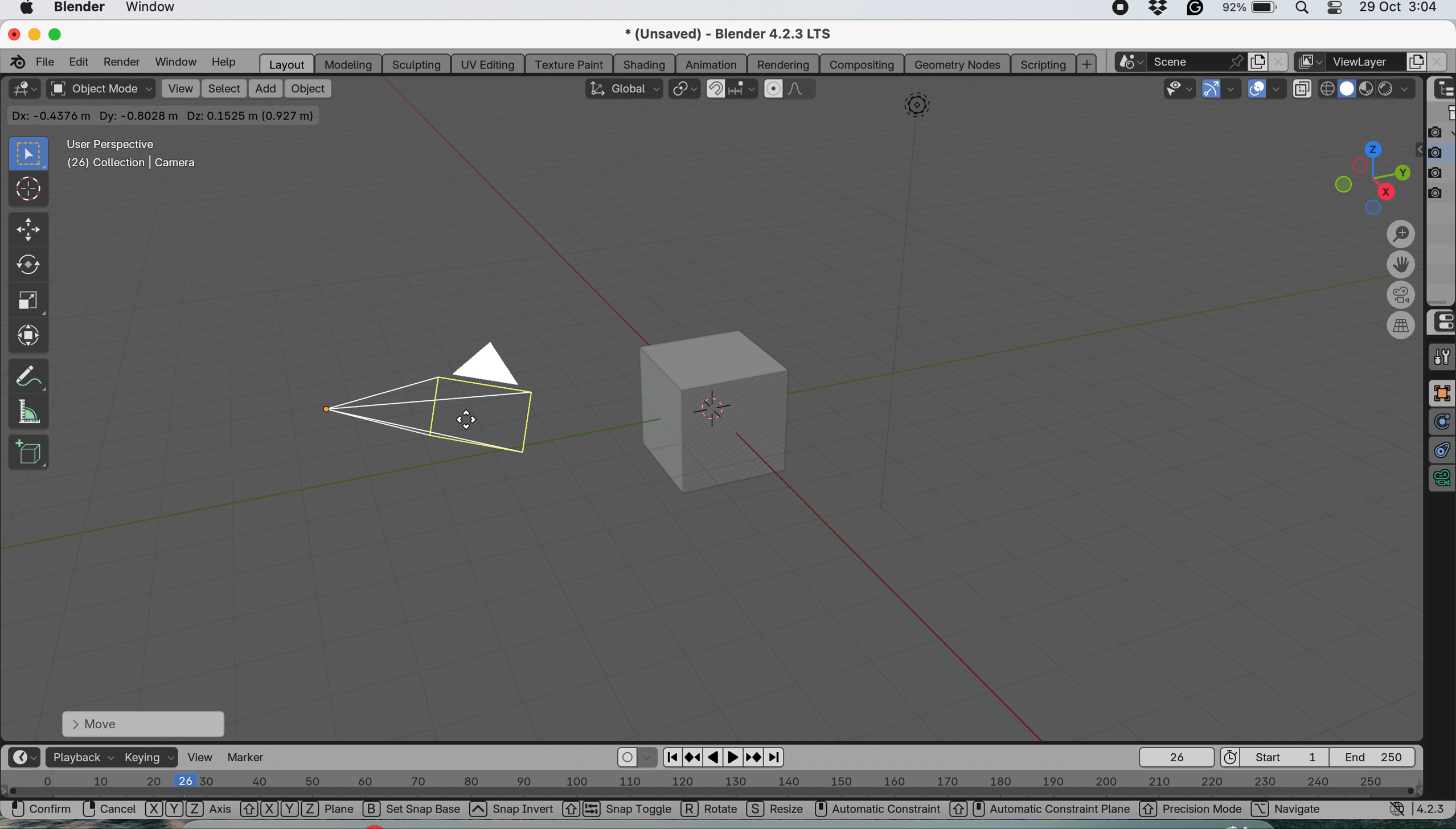 The width and height of the screenshot is (1456, 829). I want to click on moving cursor to change angle, so click(467, 420).